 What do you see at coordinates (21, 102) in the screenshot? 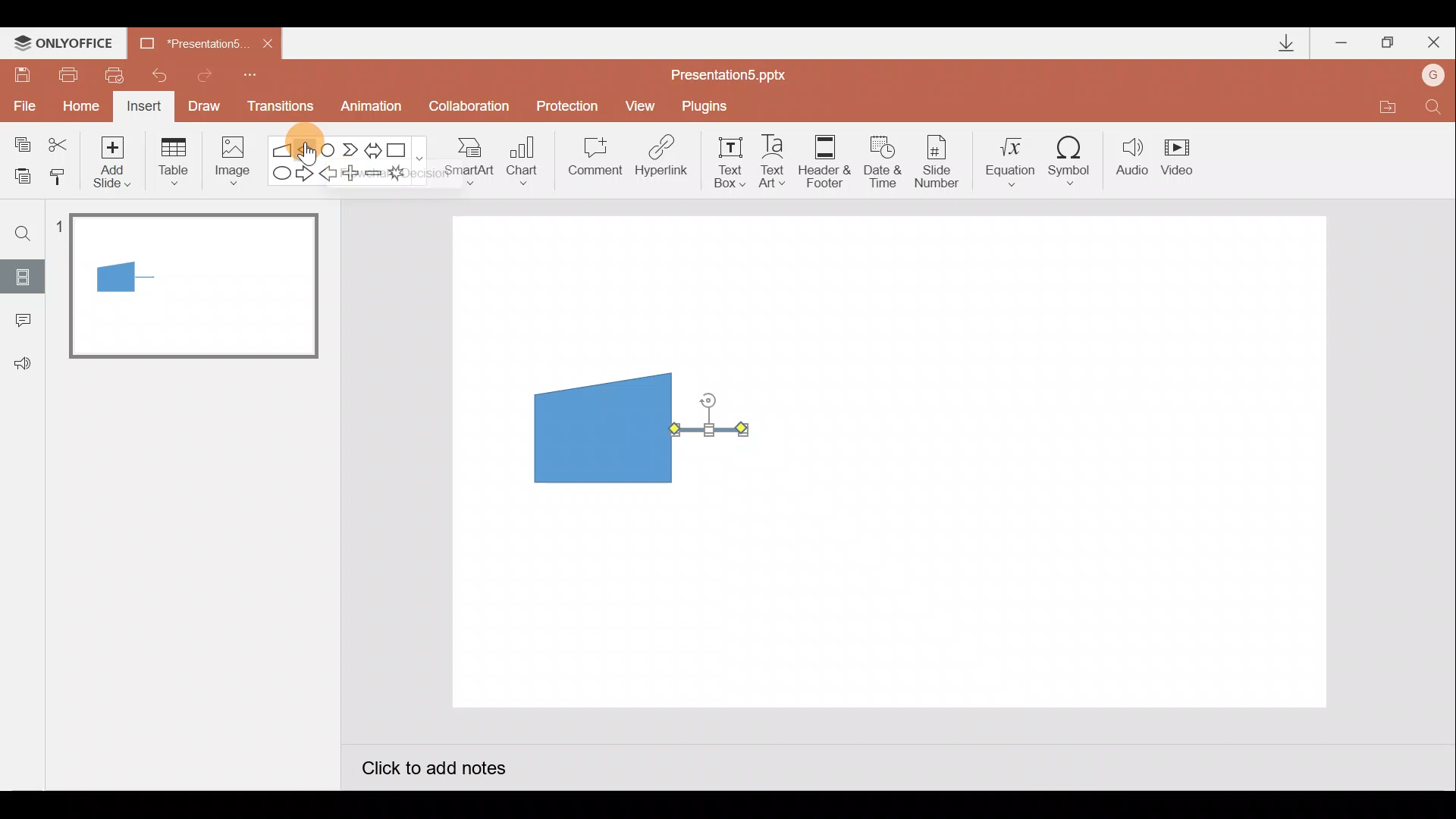
I see `File` at bounding box center [21, 102].